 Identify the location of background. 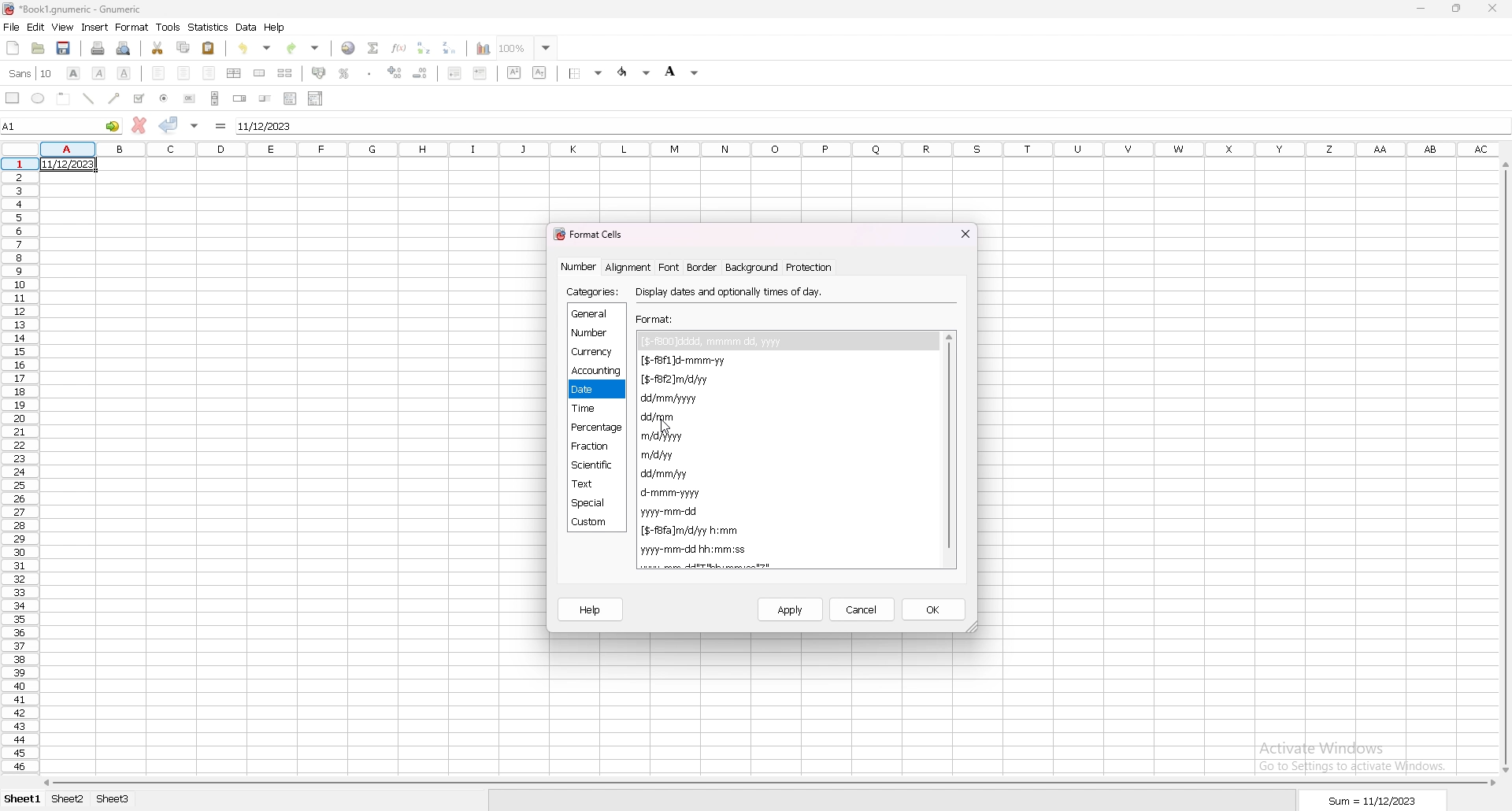
(681, 72).